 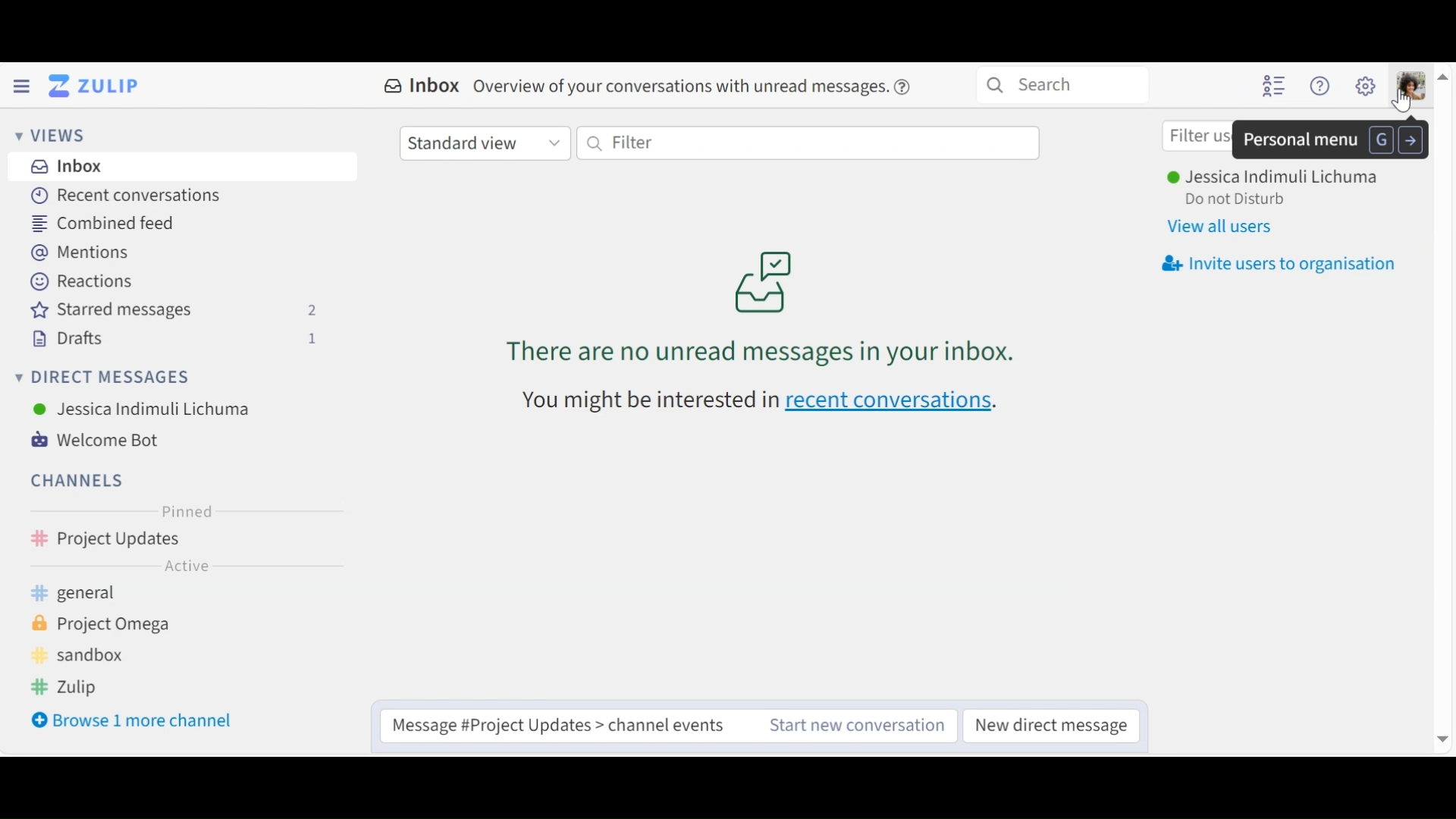 What do you see at coordinates (178, 339) in the screenshot?
I see `Drafts` at bounding box center [178, 339].